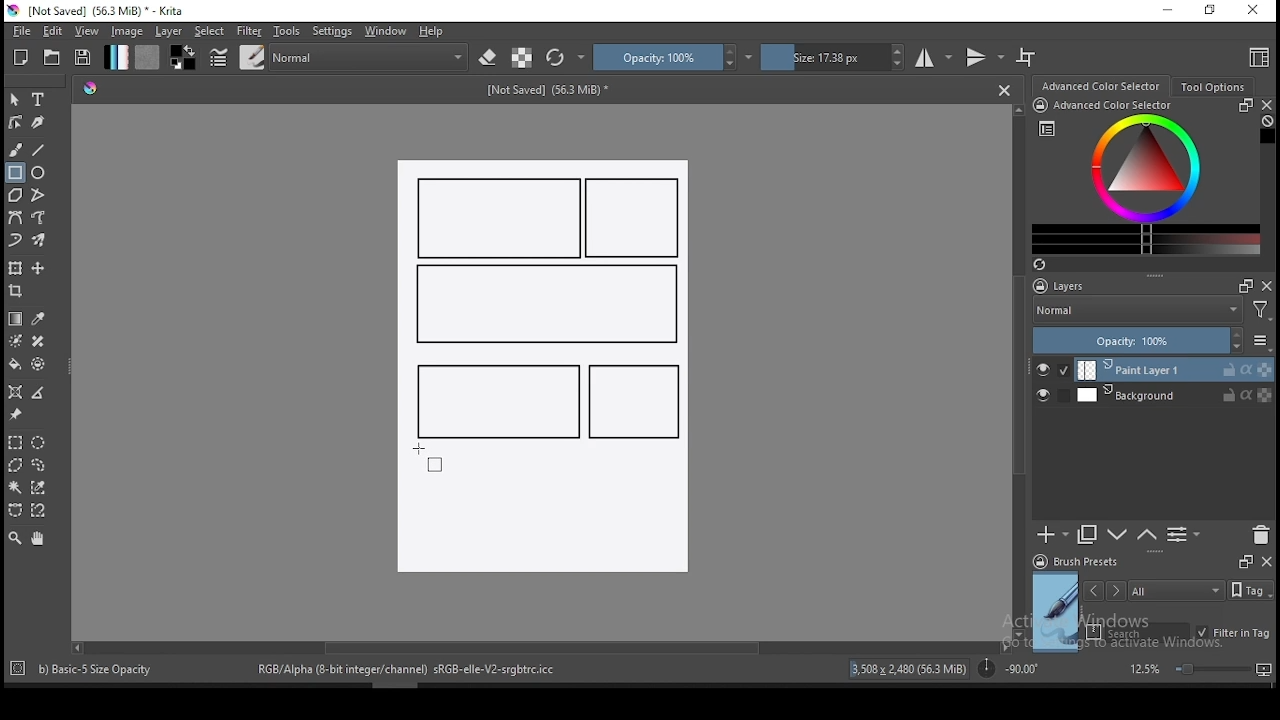 Image resolution: width=1280 pixels, height=720 pixels. Describe the element at coordinates (217, 57) in the screenshot. I see `brush settings` at that location.